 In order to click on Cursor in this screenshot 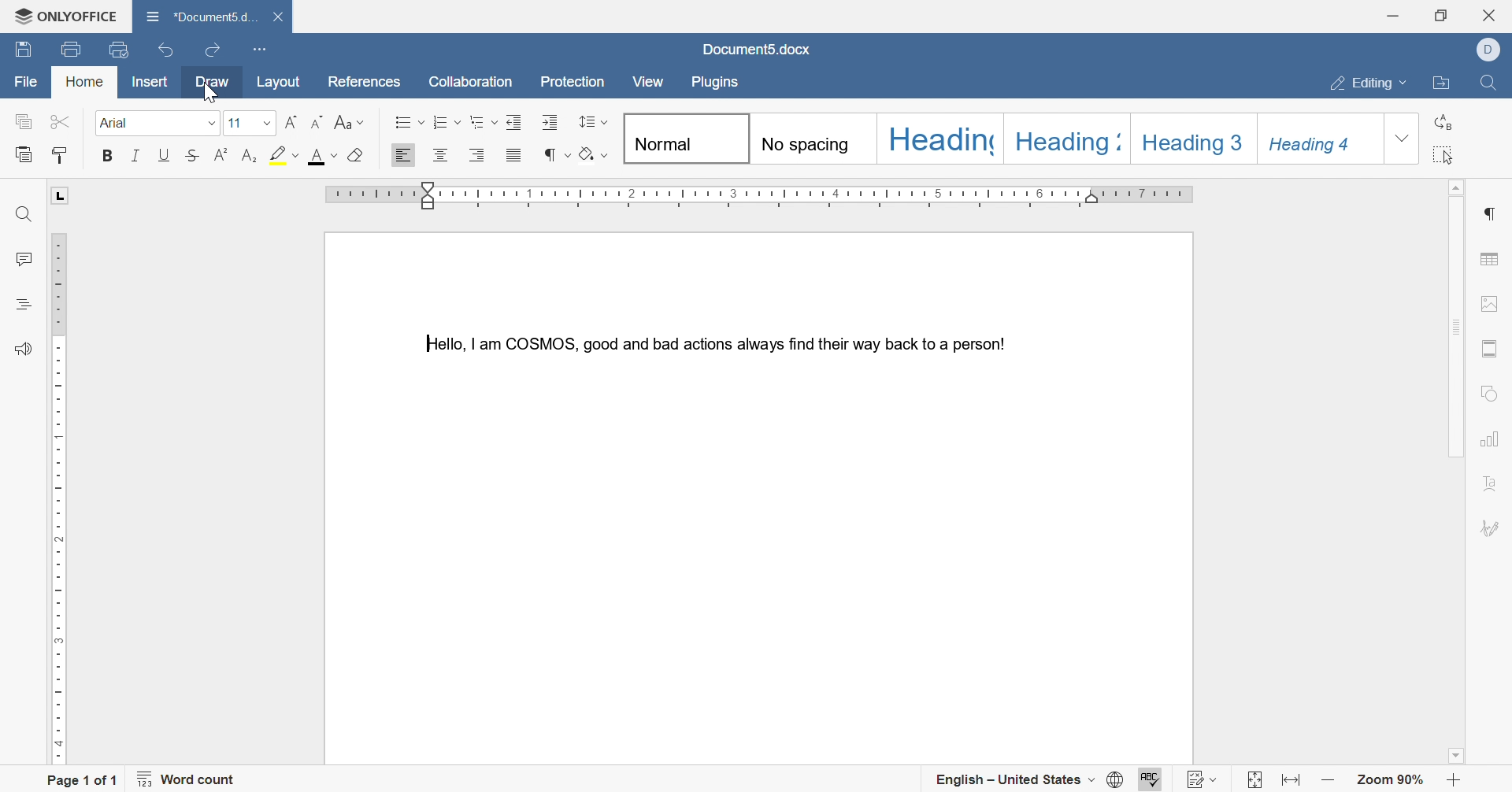, I will do `click(209, 92)`.